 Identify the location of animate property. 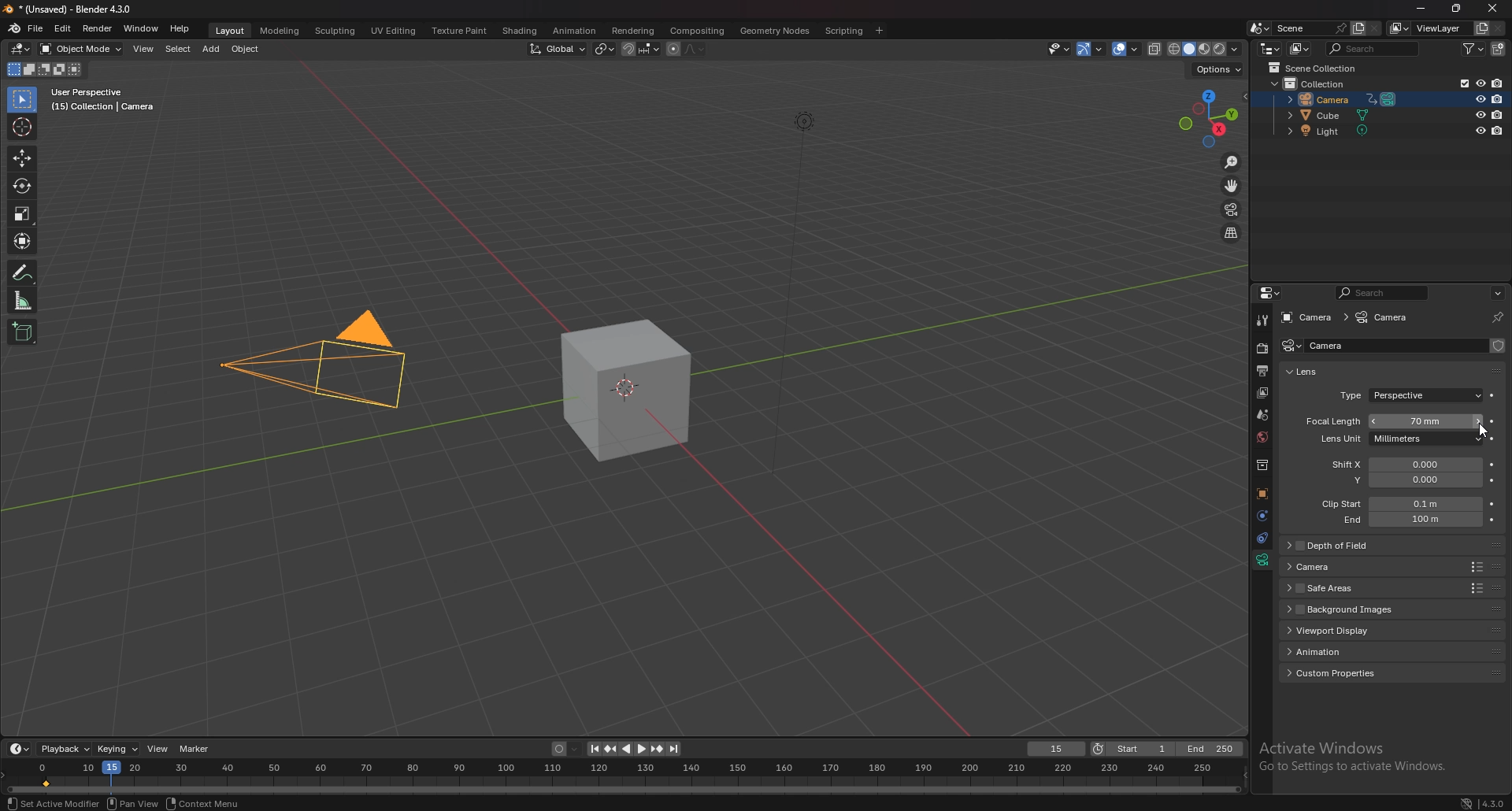
(1494, 396).